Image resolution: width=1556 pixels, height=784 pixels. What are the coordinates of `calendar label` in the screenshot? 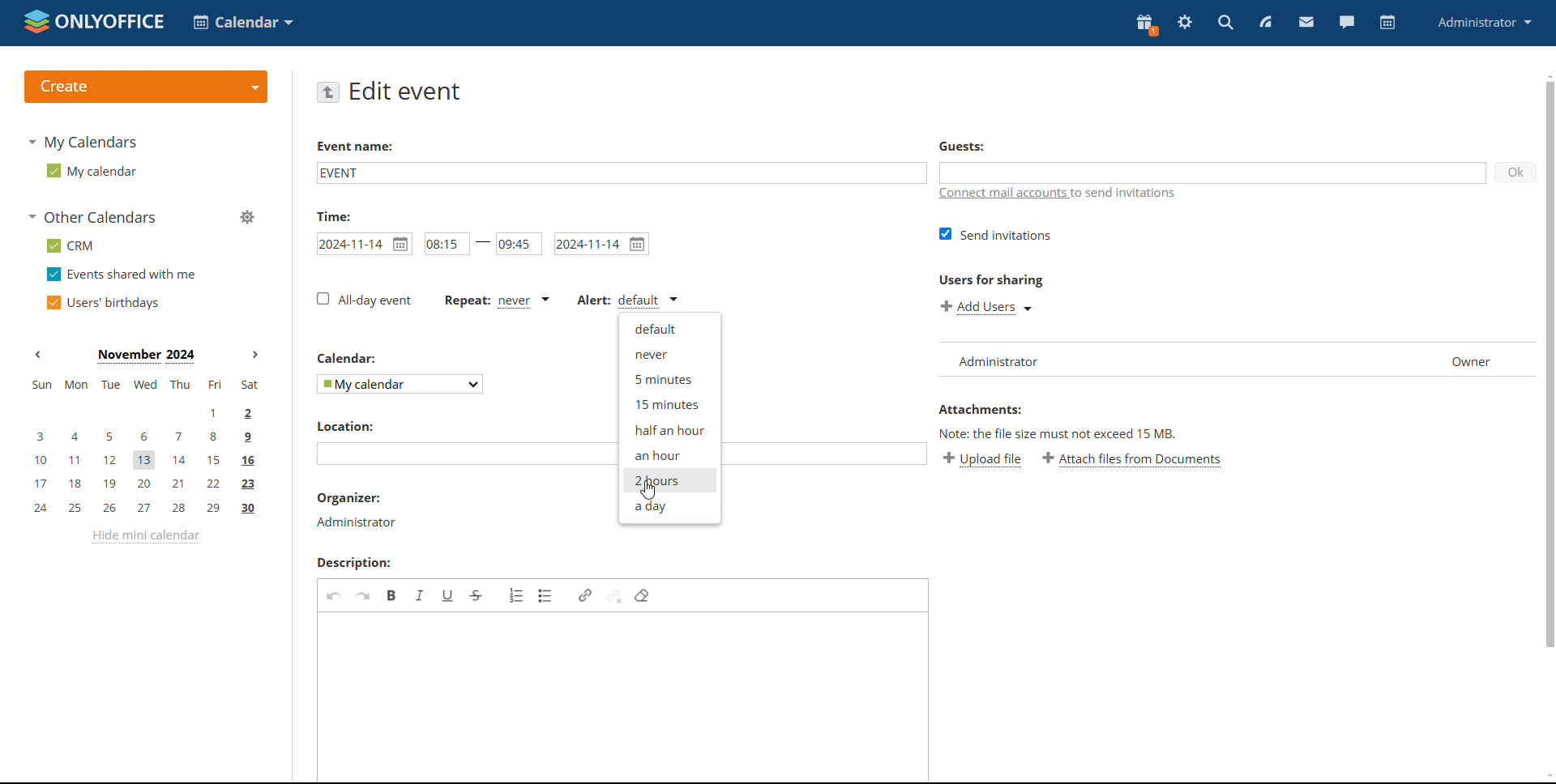 It's located at (351, 359).